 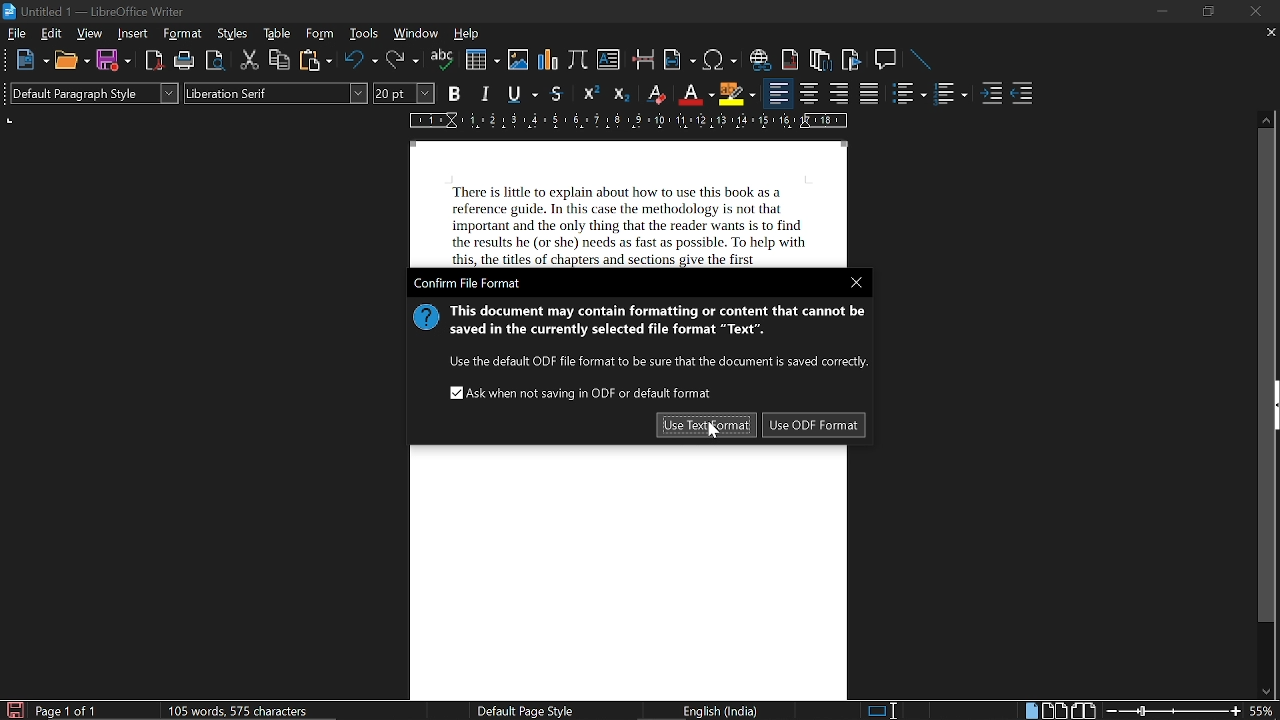 What do you see at coordinates (133, 34) in the screenshot?
I see `insert` at bounding box center [133, 34].